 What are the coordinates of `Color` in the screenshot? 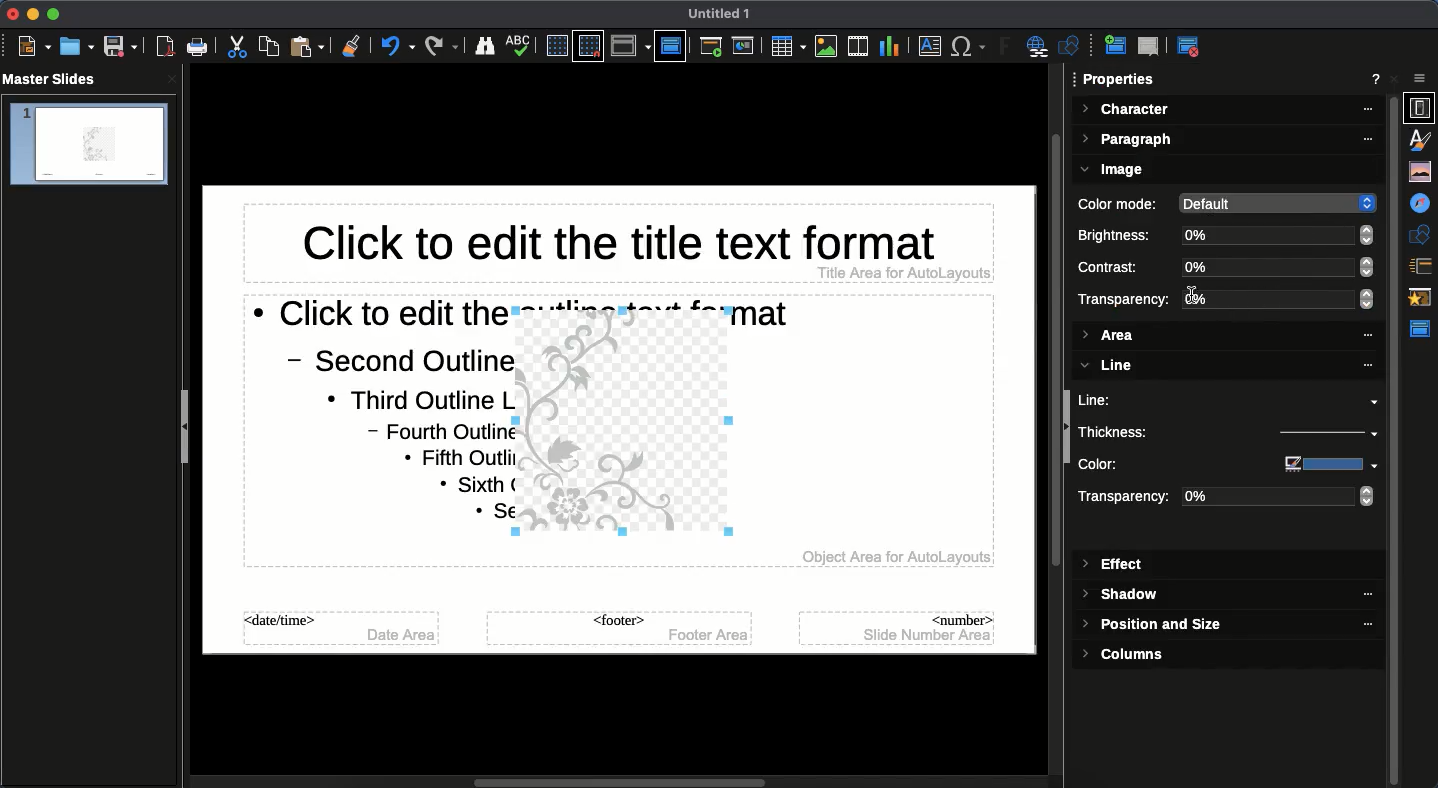 It's located at (1157, 465).